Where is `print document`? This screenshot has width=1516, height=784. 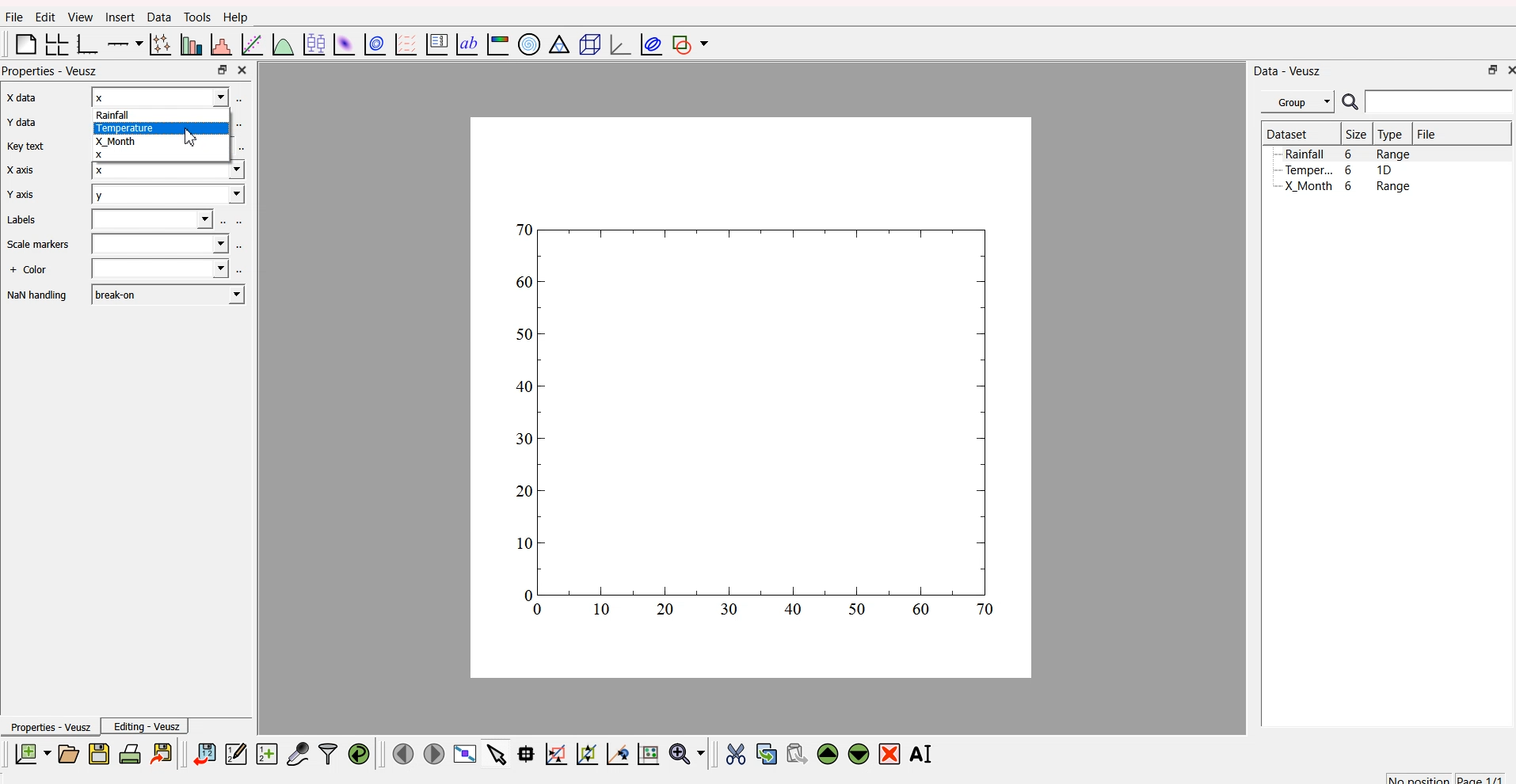
print document is located at coordinates (130, 753).